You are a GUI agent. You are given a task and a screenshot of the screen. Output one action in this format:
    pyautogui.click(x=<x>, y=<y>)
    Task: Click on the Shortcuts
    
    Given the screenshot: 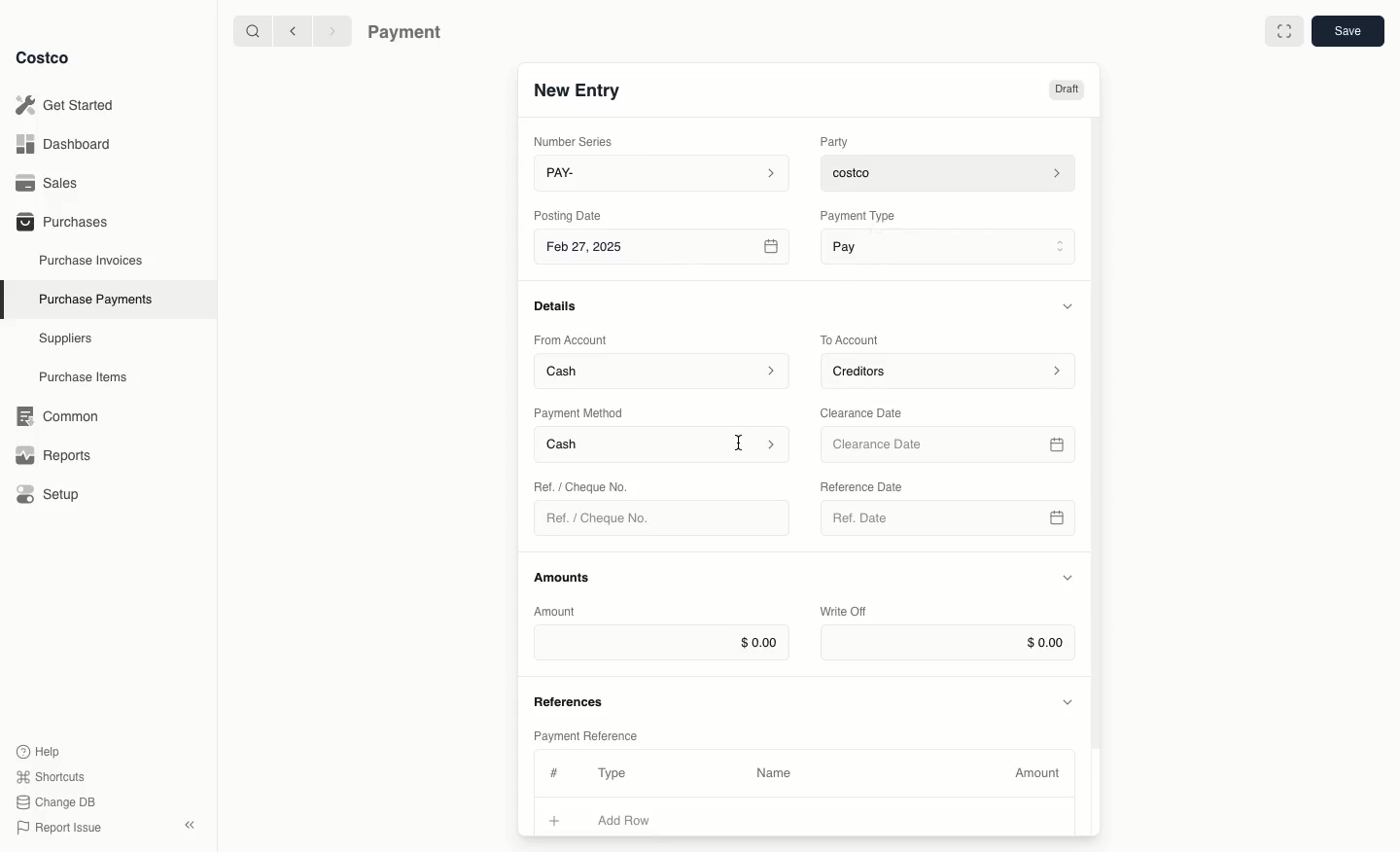 What is the action you would take?
    pyautogui.click(x=50, y=775)
    